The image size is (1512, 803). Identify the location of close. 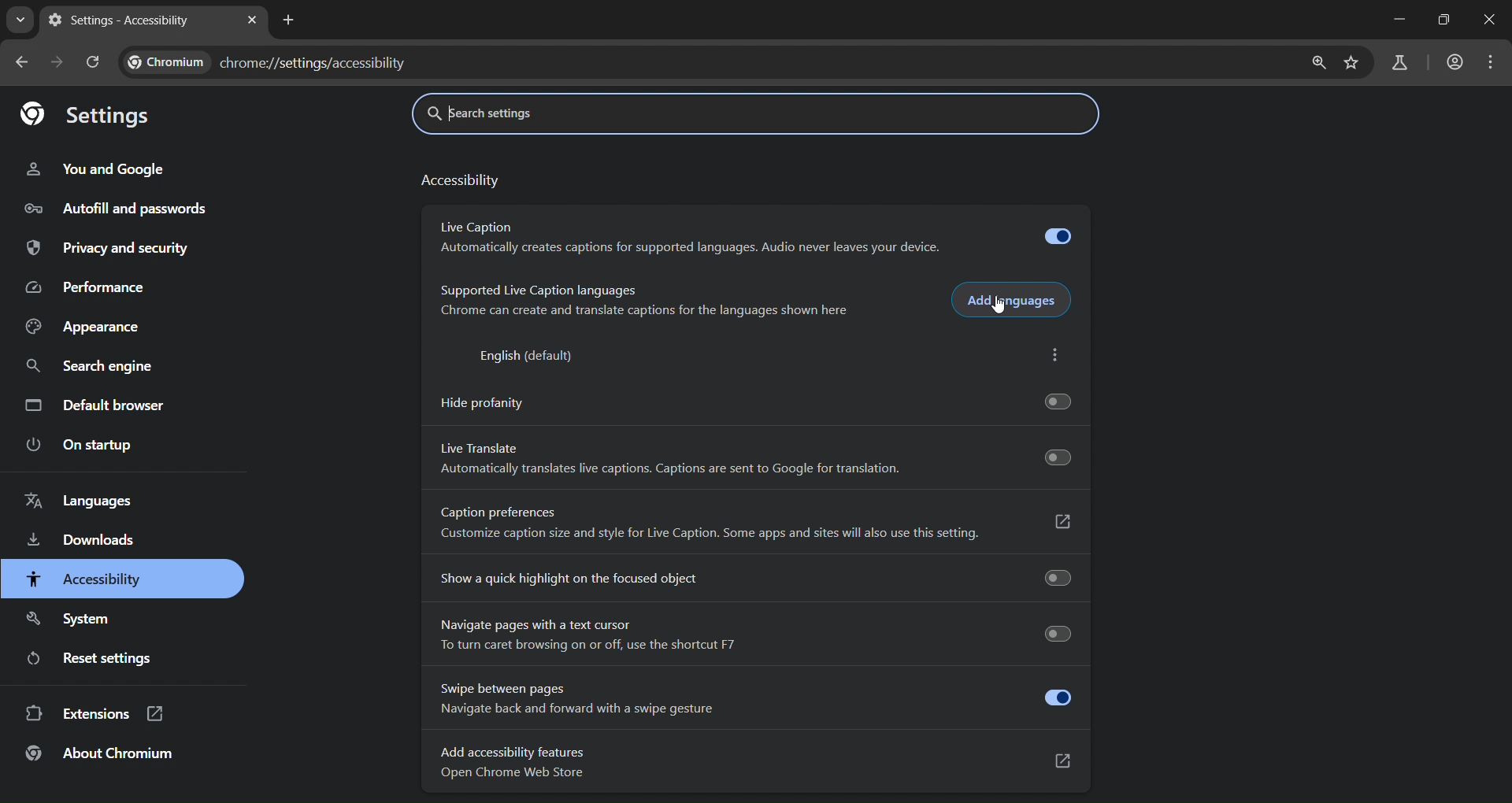
(1487, 21).